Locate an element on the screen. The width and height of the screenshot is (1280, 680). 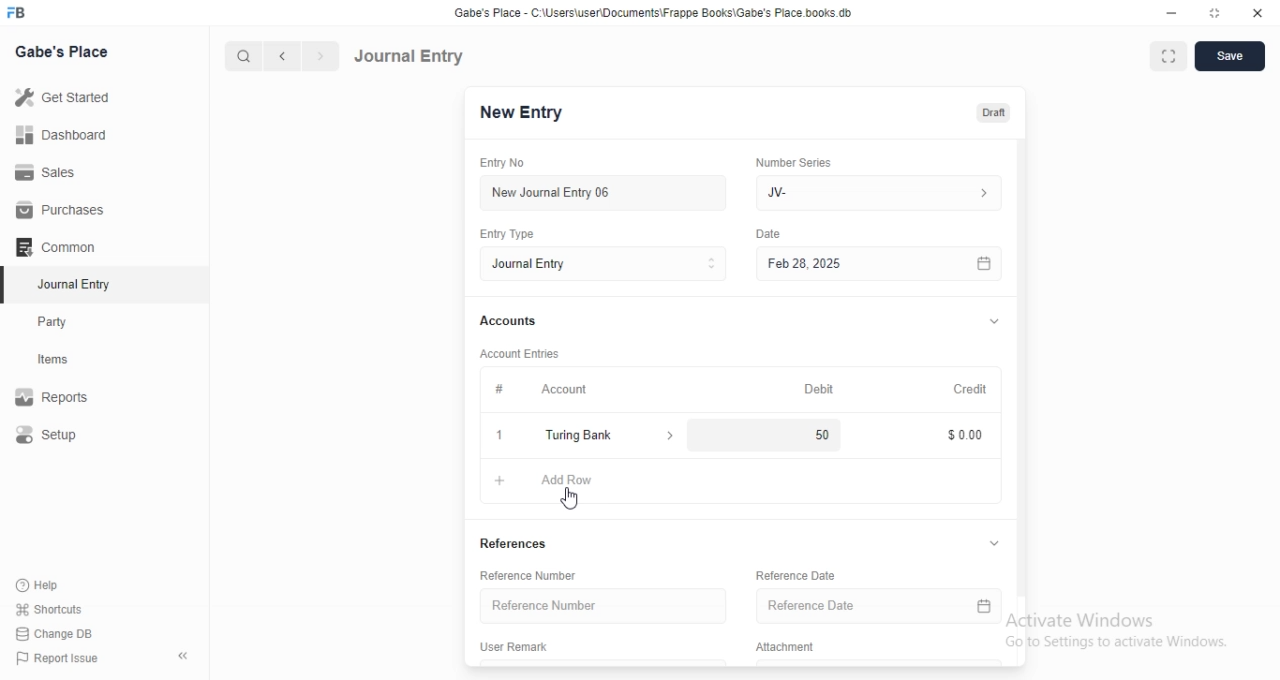
Add Row is located at coordinates (552, 482).